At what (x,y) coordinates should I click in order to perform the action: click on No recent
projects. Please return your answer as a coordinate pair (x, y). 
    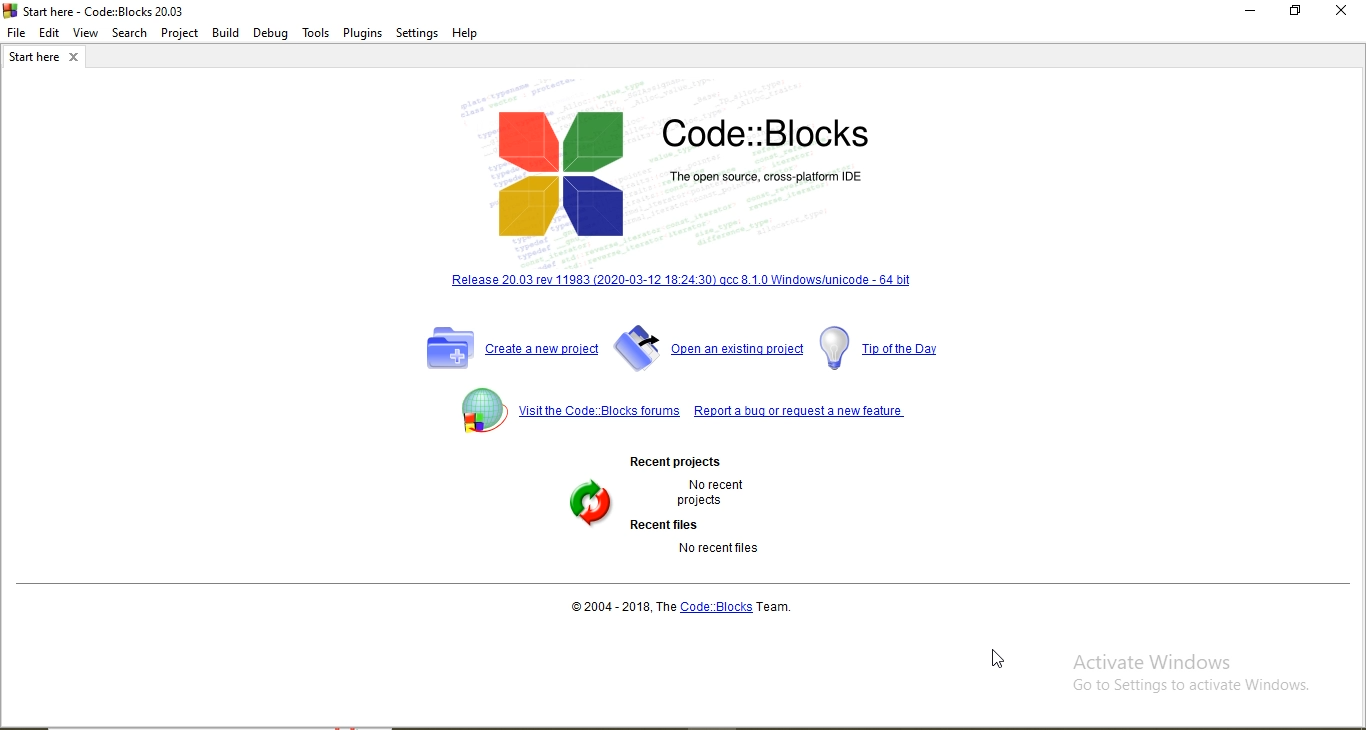
    Looking at the image, I should click on (721, 493).